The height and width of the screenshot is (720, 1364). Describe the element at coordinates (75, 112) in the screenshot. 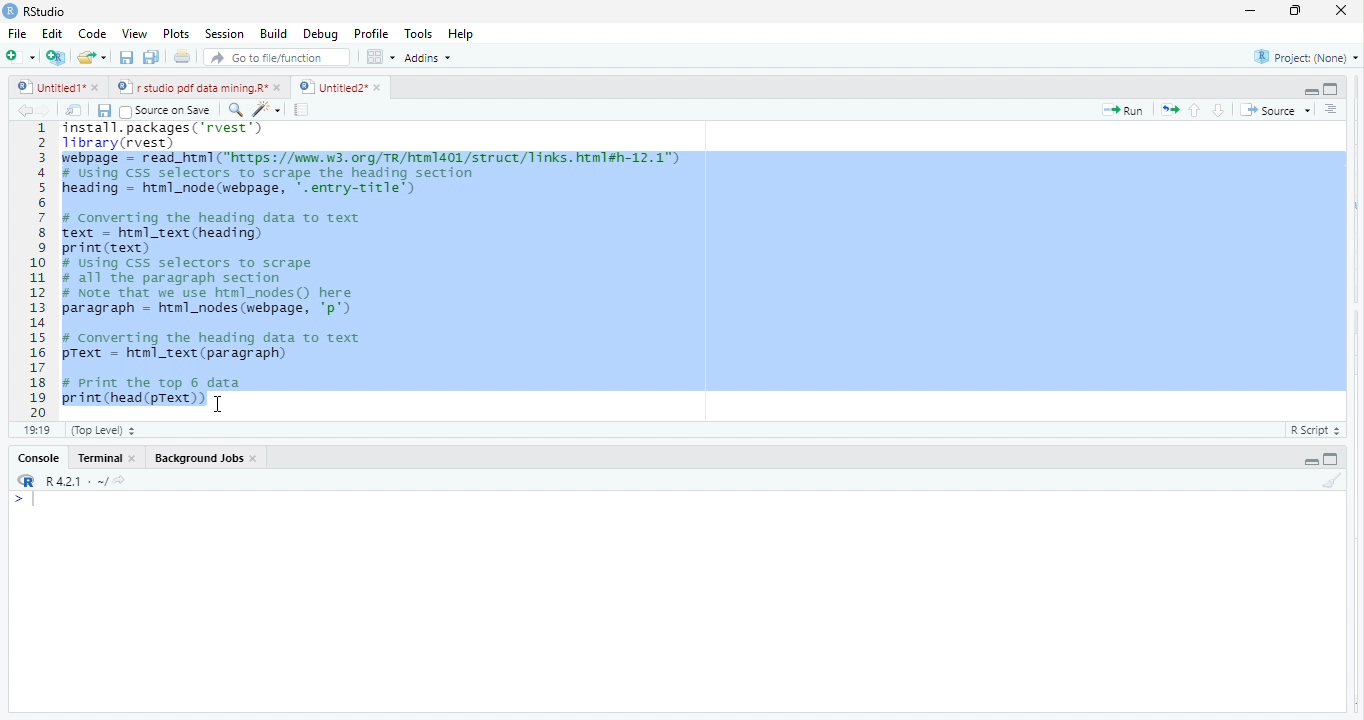

I see `show in new window` at that location.